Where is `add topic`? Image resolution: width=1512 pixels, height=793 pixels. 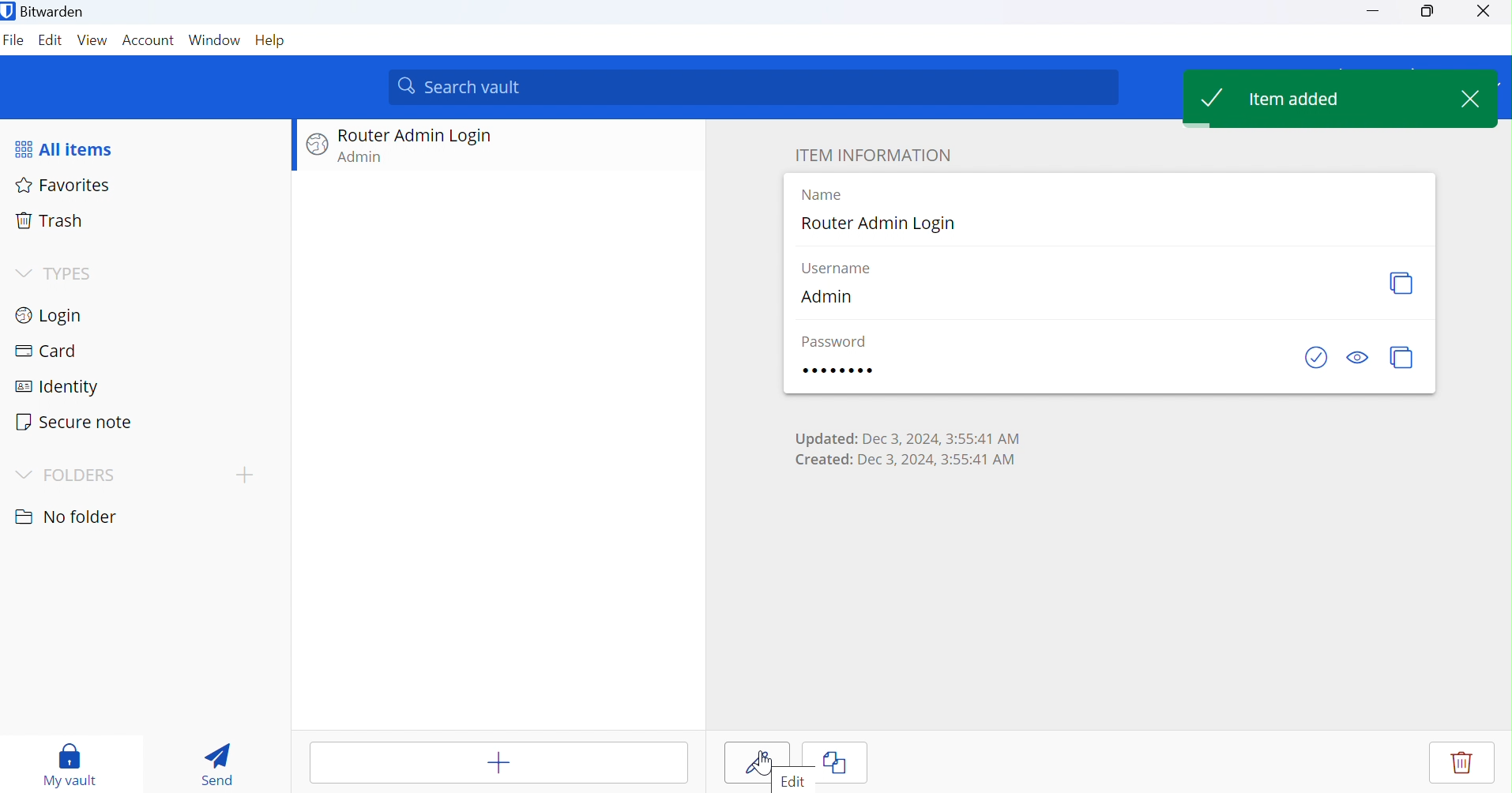
add topic is located at coordinates (245, 474).